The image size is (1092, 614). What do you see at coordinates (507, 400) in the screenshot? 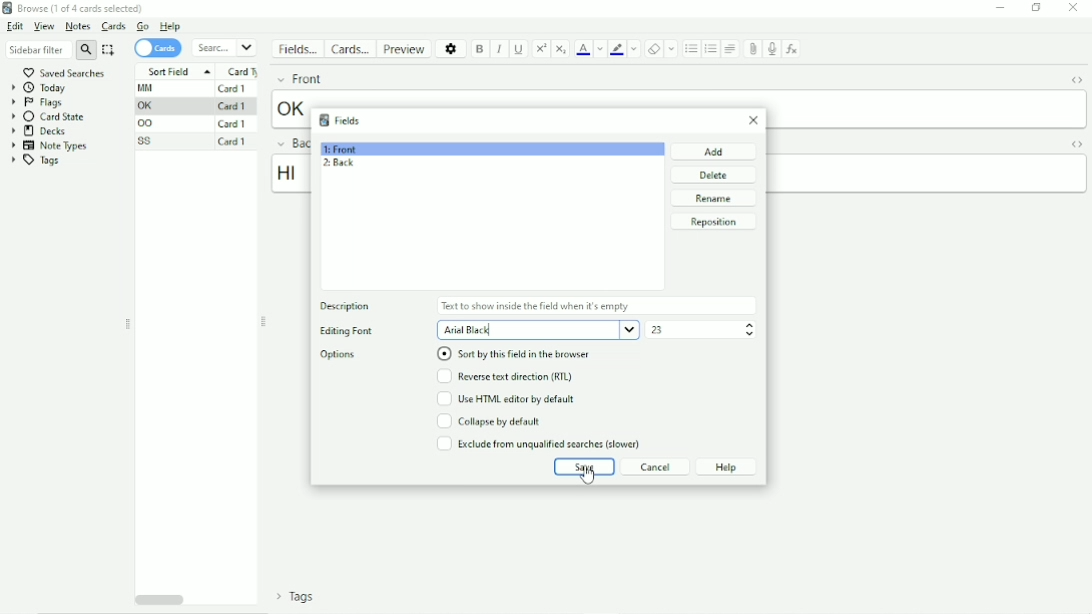
I see `Use HTML editor by default` at bounding box center [507, 400].